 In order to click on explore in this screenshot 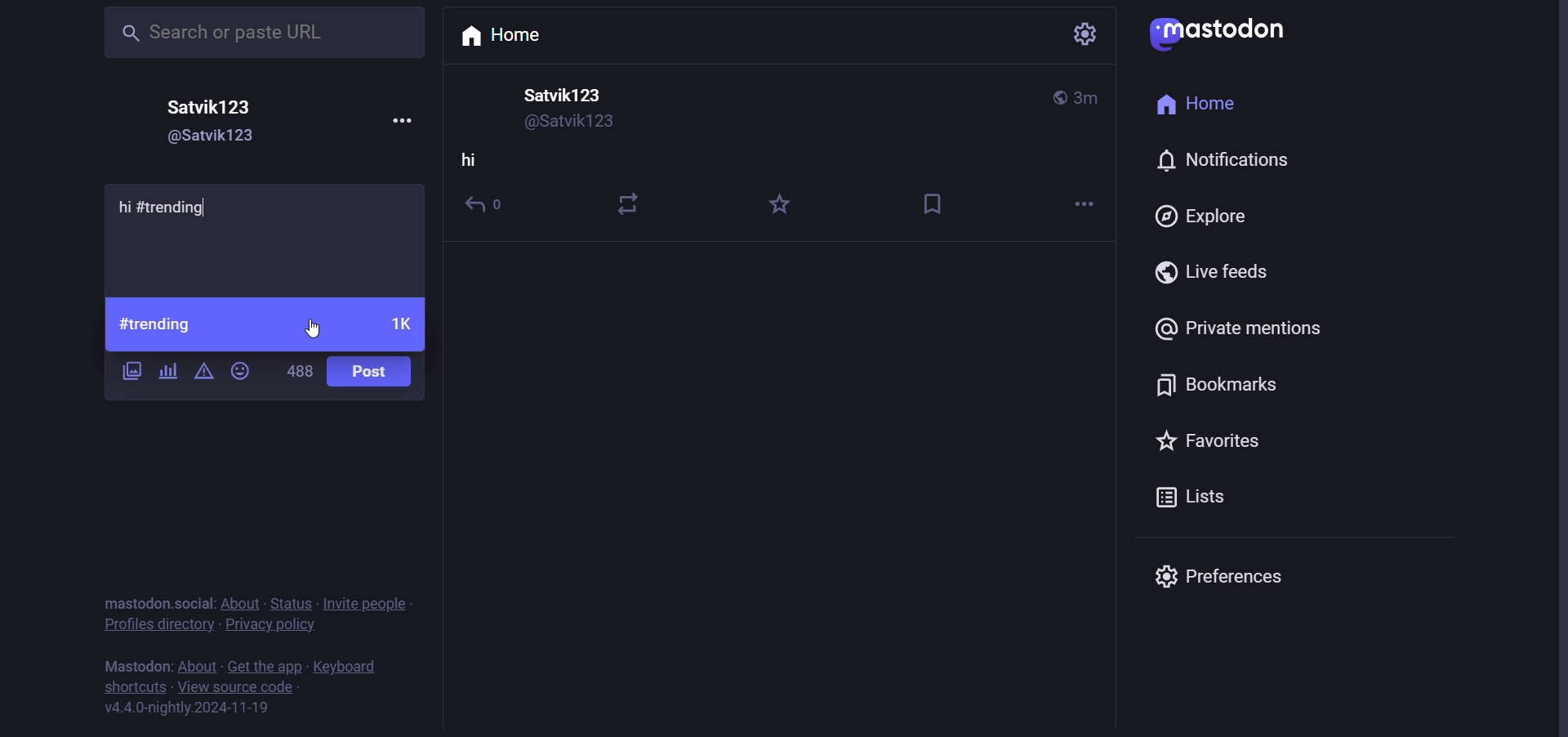, I will do `click(1200, 218)`.